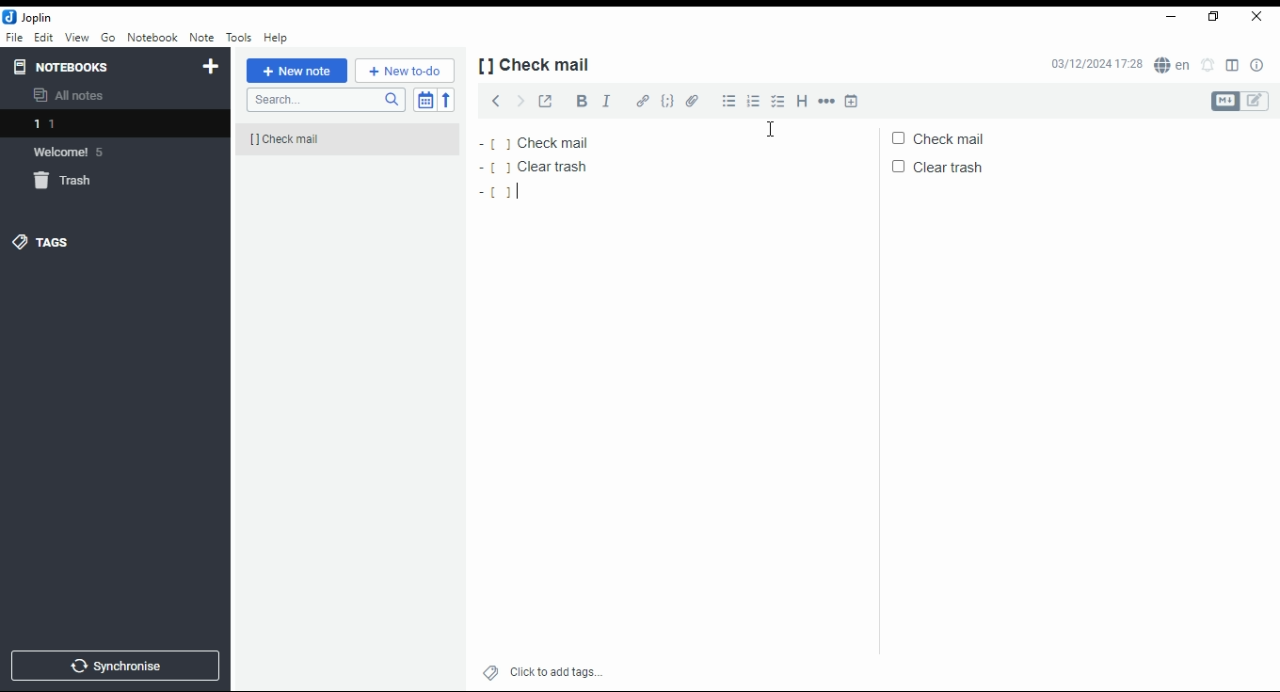 The image size is (1280, 692). I want to click on all notes, so click(71, 95).